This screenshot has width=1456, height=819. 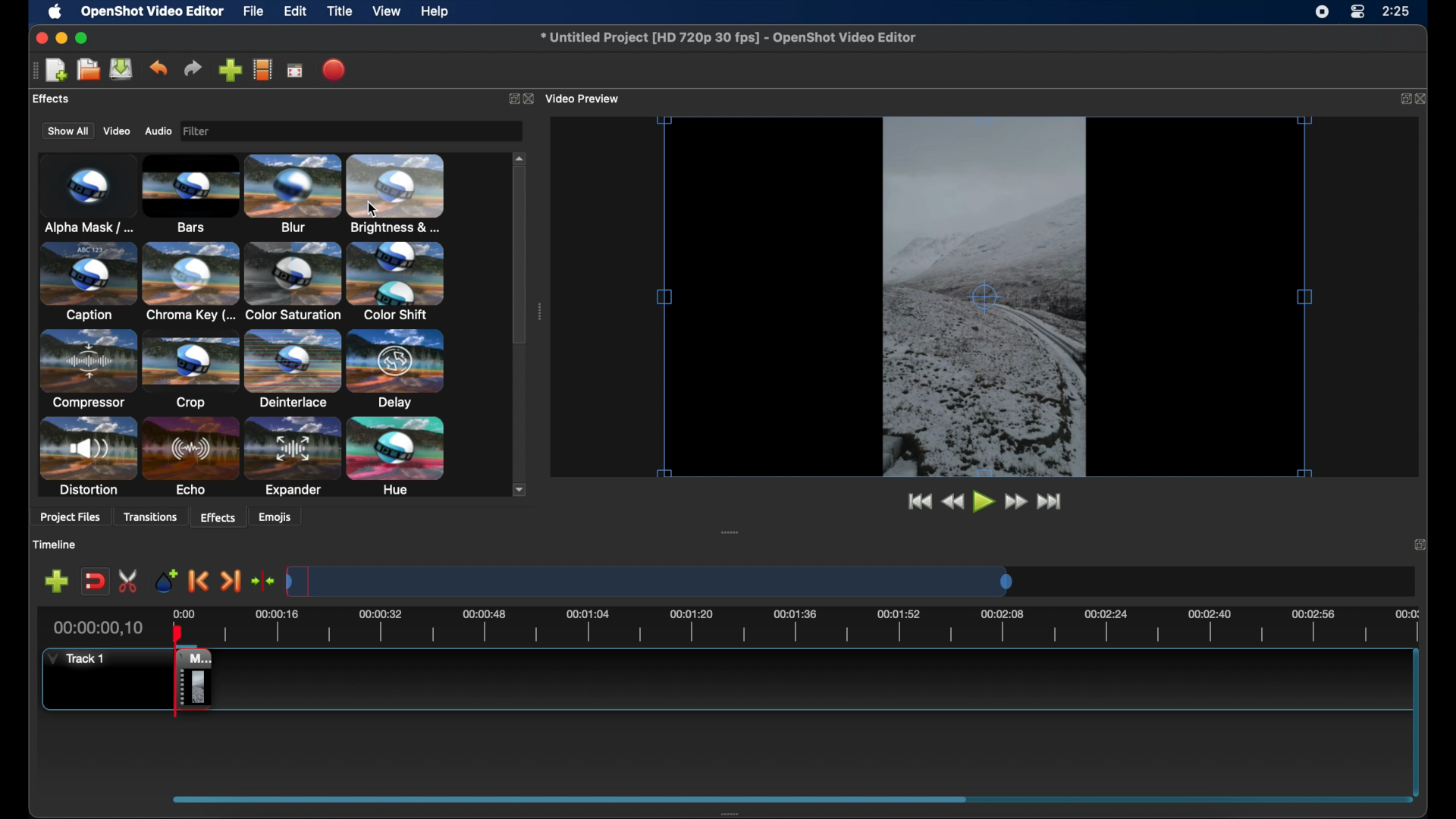 What do you see at coordinates (159, 131) in the screenshot?
I see `audio` at bounding box center [159, 131].